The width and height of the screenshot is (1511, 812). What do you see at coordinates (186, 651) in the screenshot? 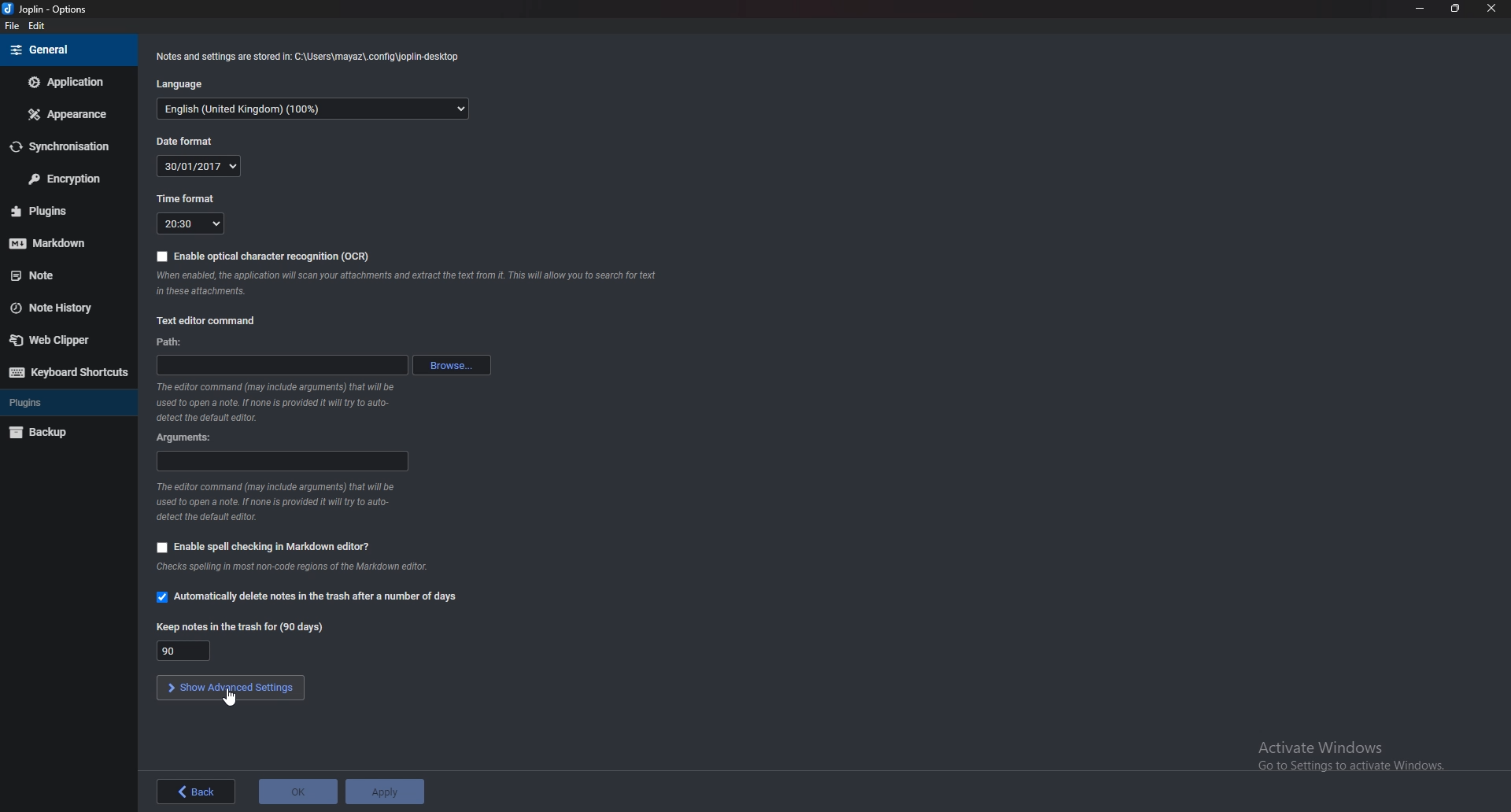
I see `90 days` at bounding box center [186, 651].